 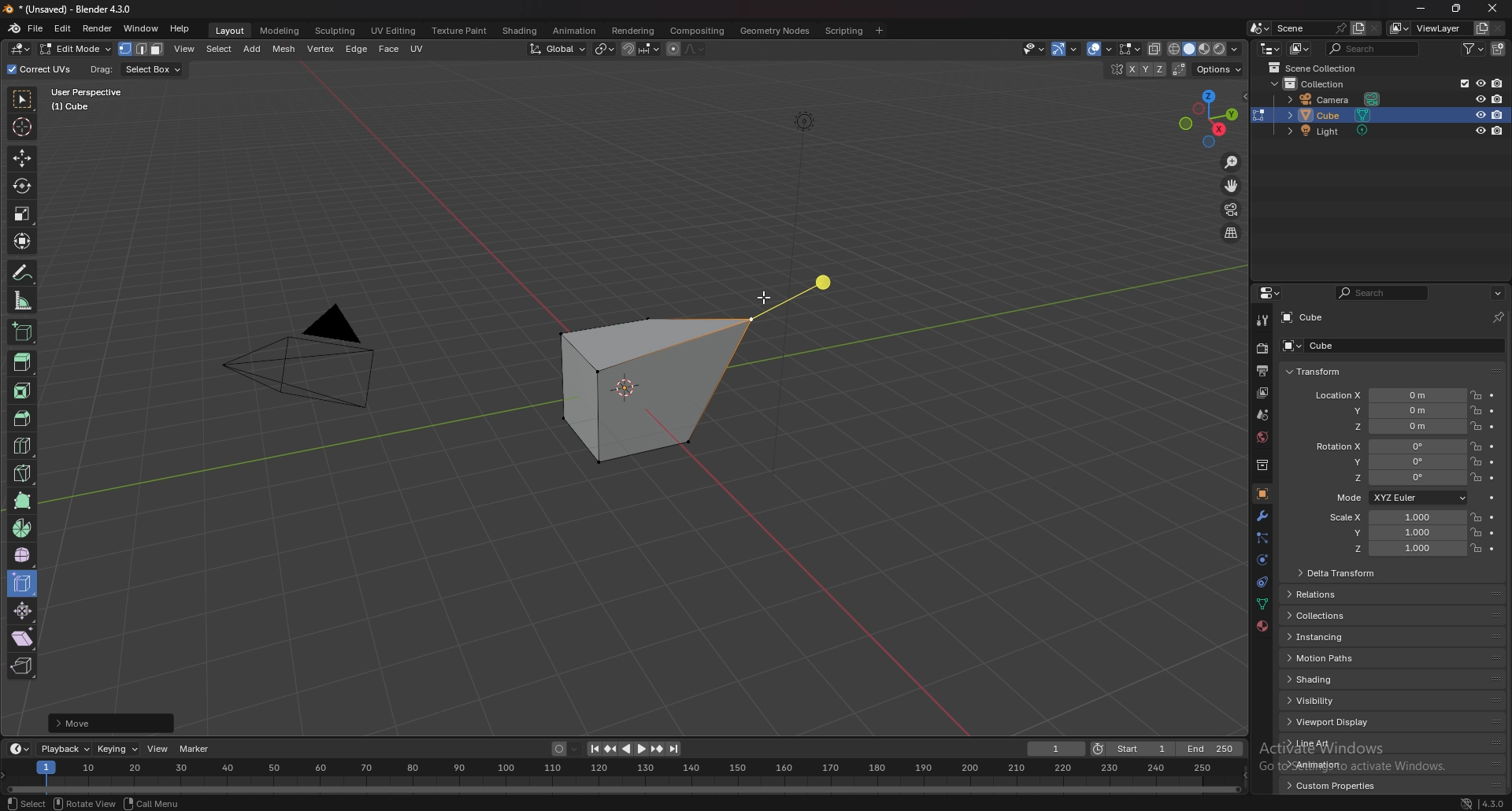 I want to click on camera view, so click(x=1232, y=209).